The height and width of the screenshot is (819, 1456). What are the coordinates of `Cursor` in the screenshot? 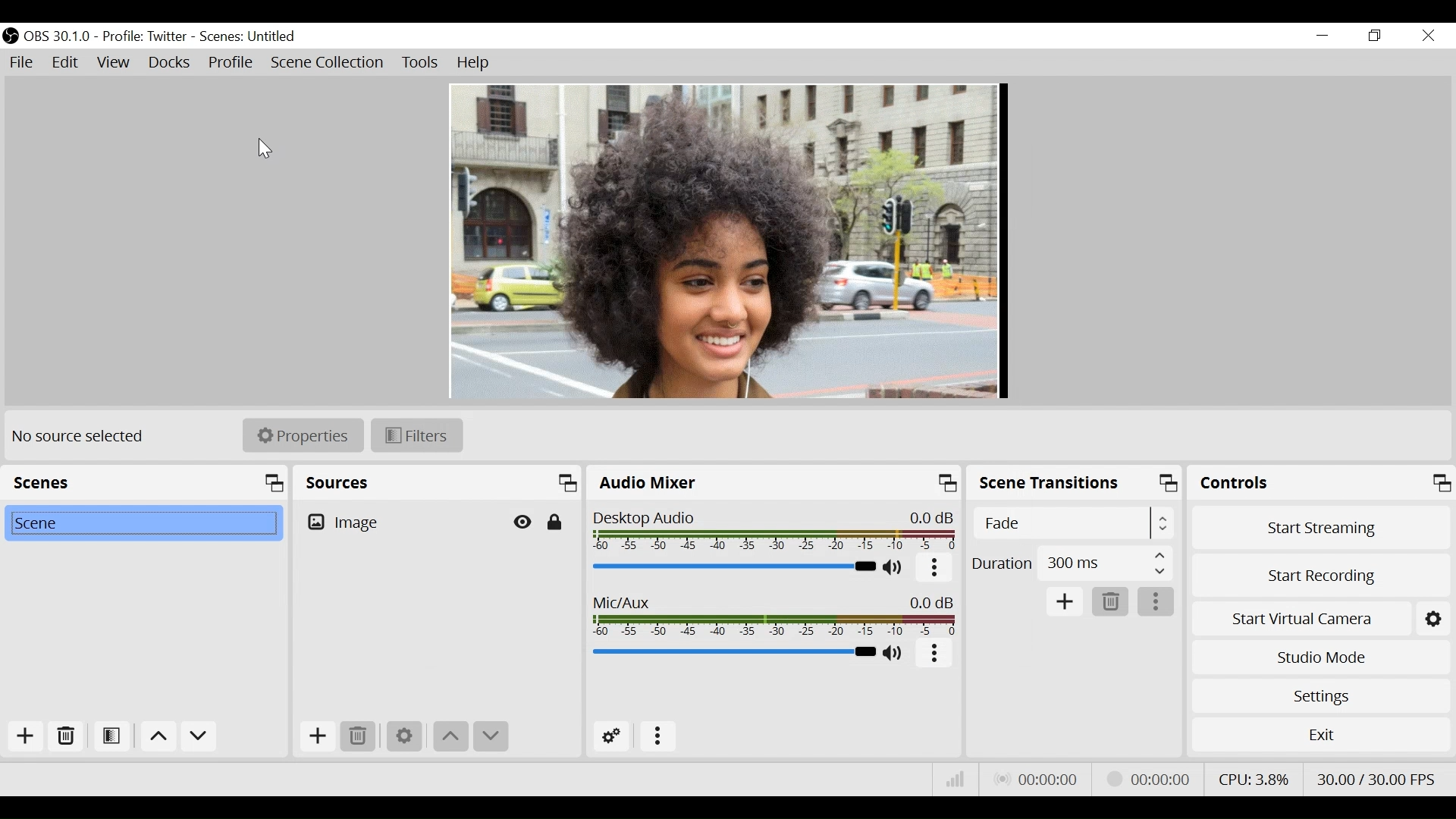 It's located at (266, 149).